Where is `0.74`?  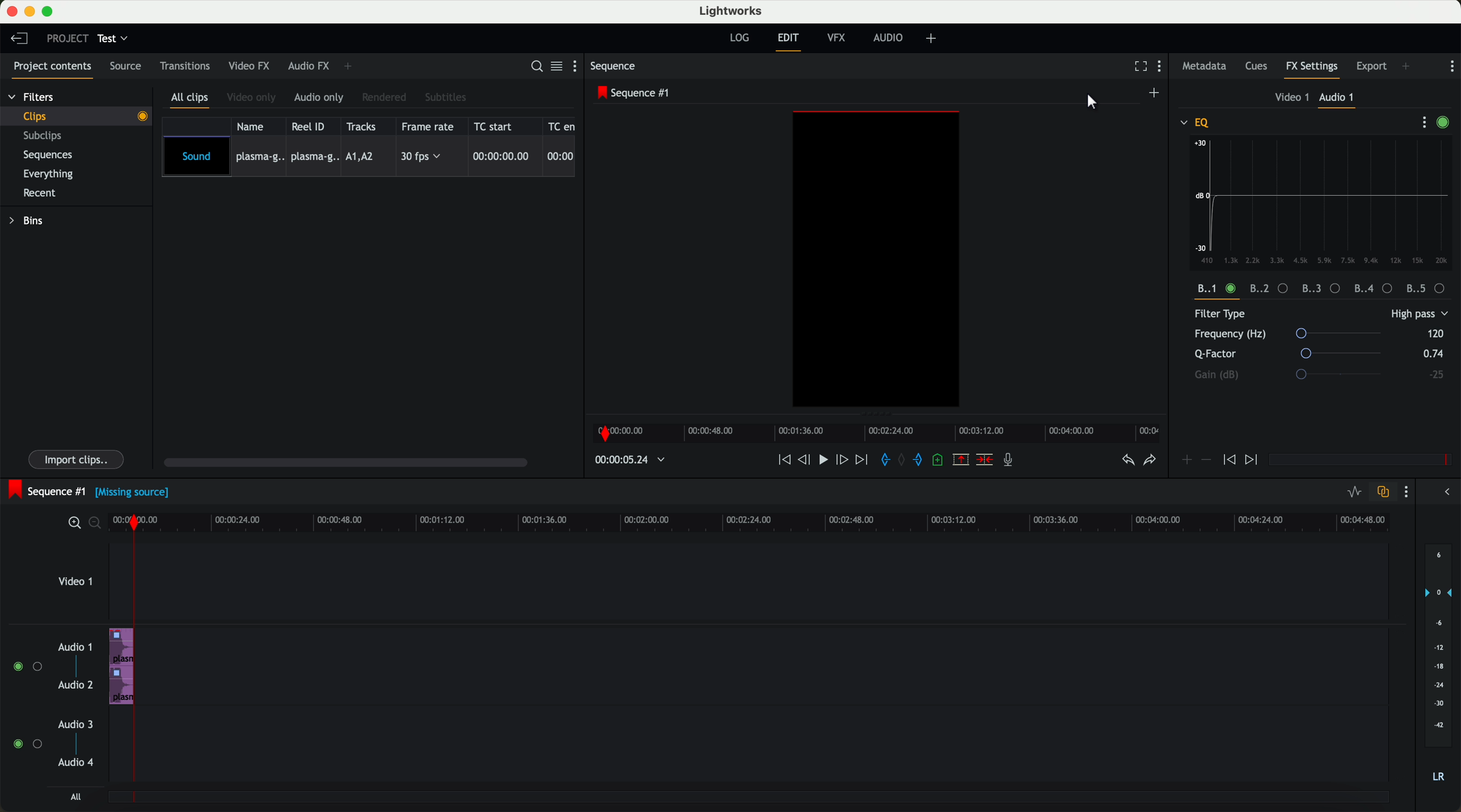
0.74 is located at coordinates (1430, 354).